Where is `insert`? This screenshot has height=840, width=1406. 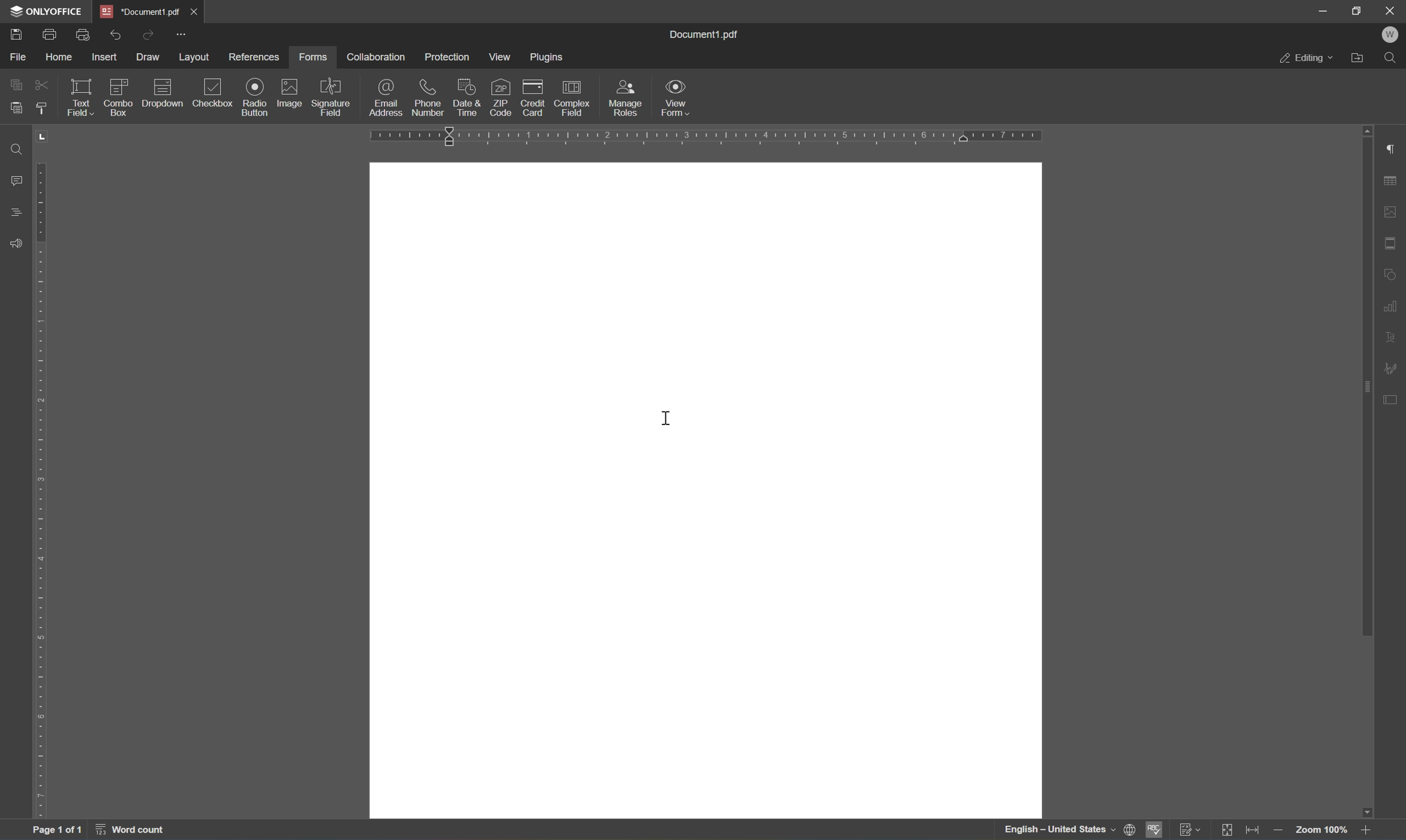
insert is located at coordinates (105, 58).